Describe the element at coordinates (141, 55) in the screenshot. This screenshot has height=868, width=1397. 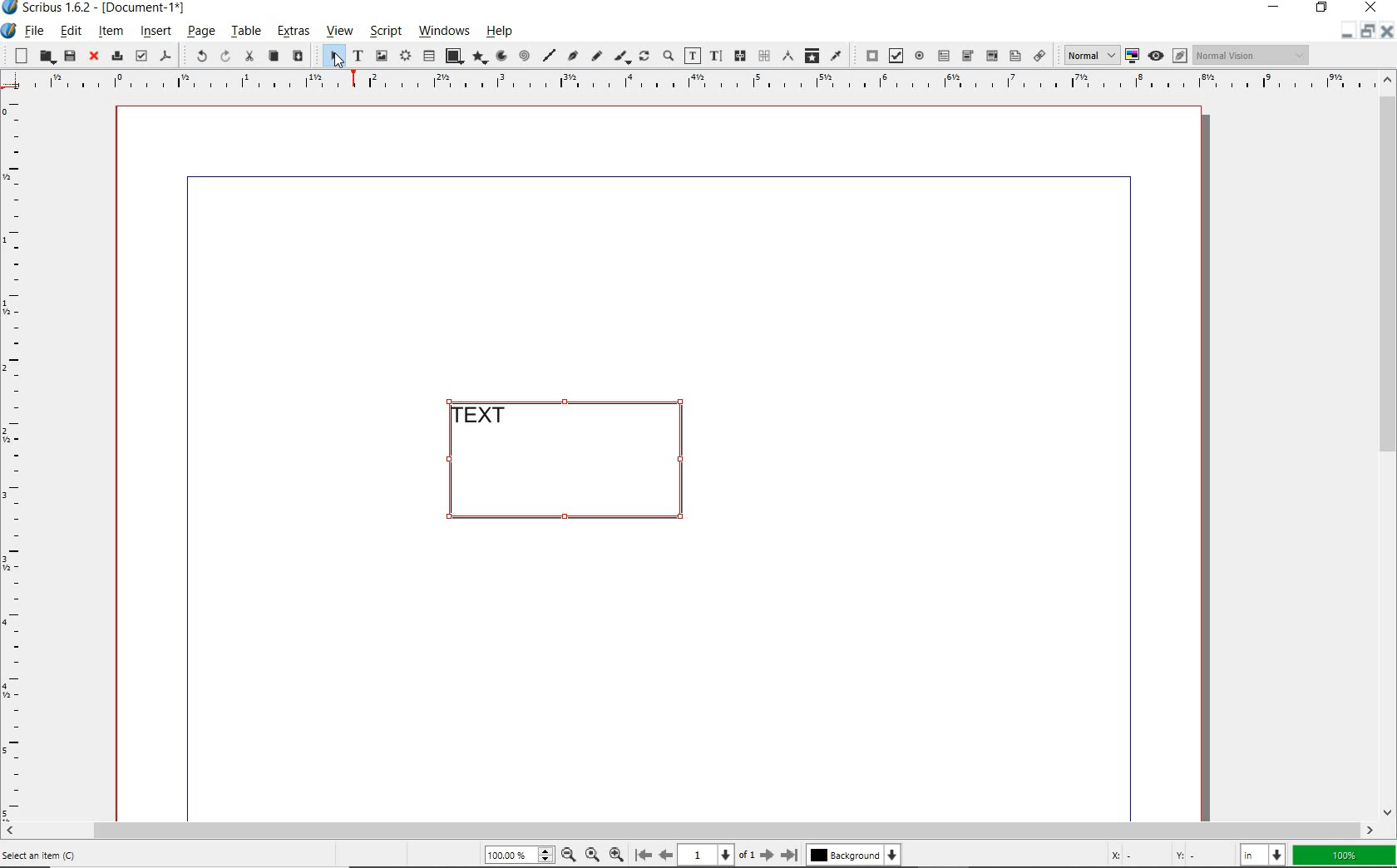
I see `preflight verifier` at that location.